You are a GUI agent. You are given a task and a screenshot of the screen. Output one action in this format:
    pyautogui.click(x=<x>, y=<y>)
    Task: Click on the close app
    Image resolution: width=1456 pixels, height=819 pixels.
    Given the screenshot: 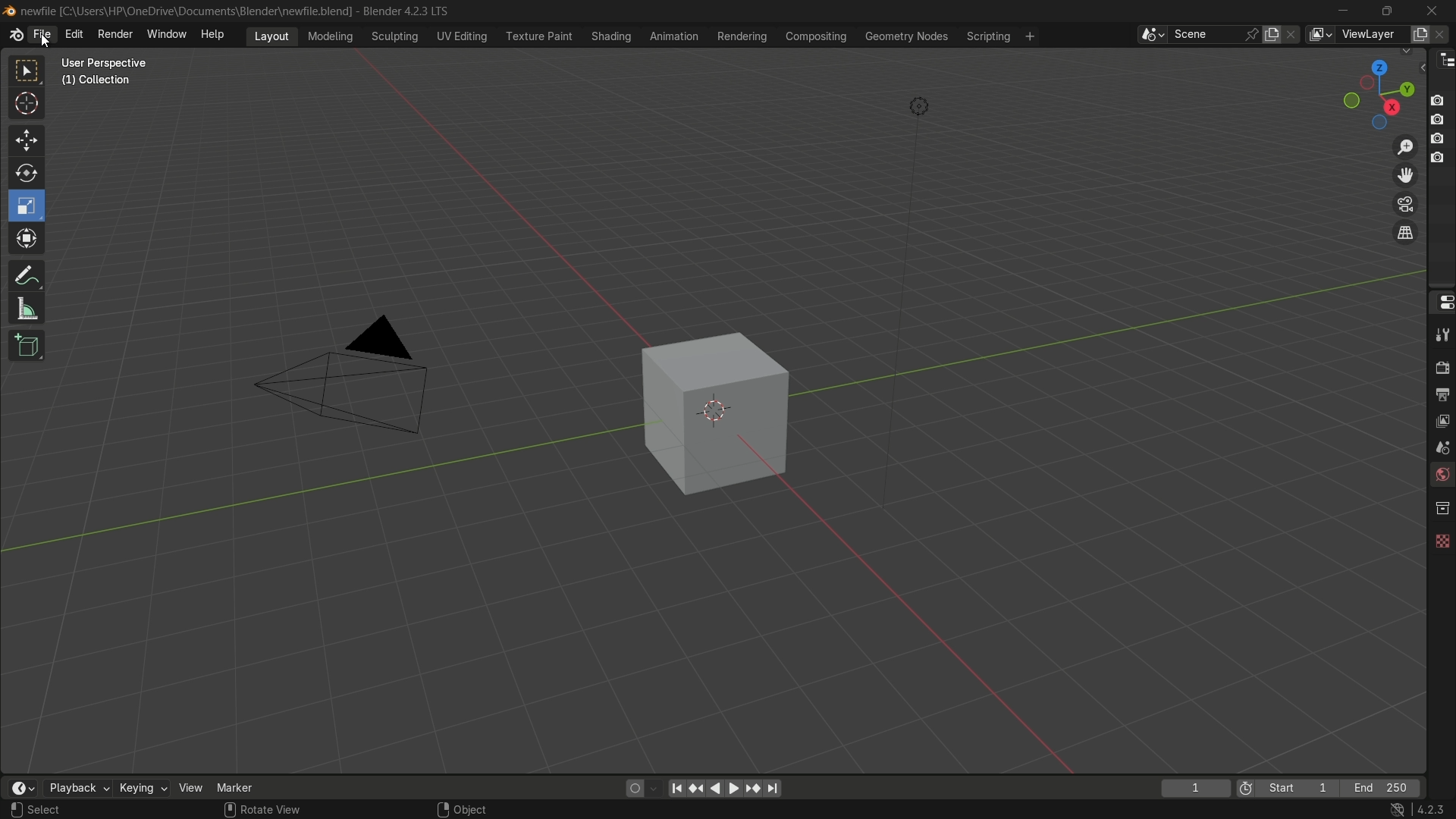 What is the action you would take?
    pyautogui.click(x=1432, y=10)
    